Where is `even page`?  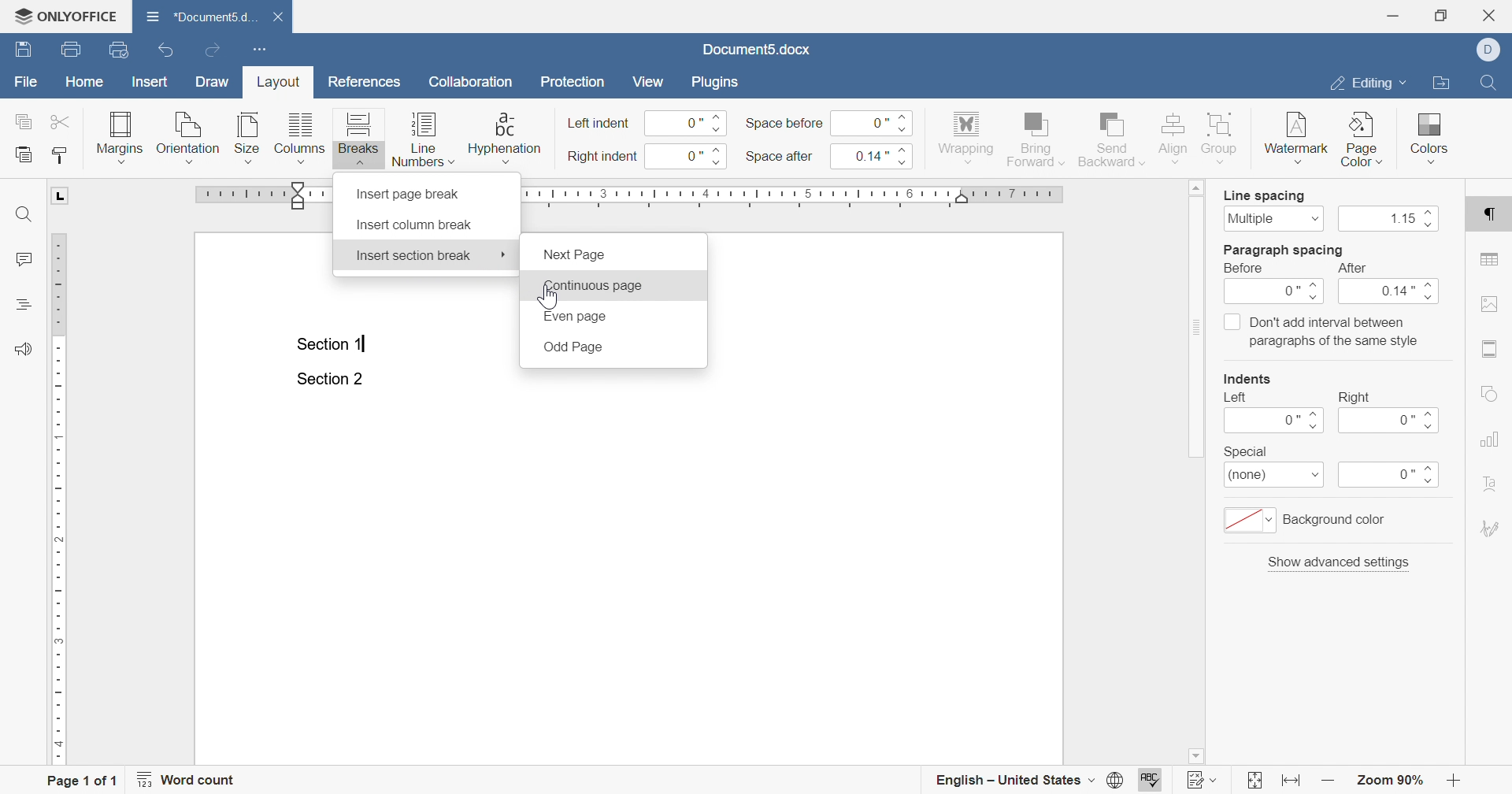
even page is located at coordinates (574, 317).